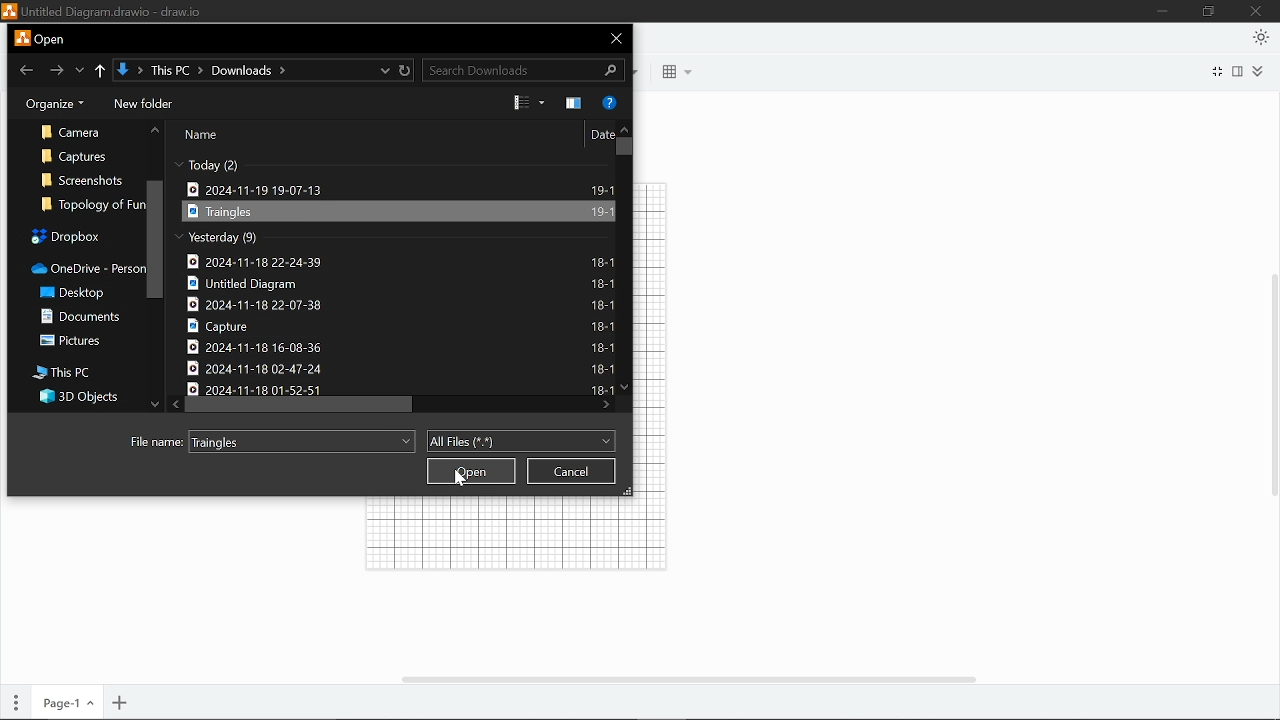  I want to click on Up to "This pc", so click(101, 70).